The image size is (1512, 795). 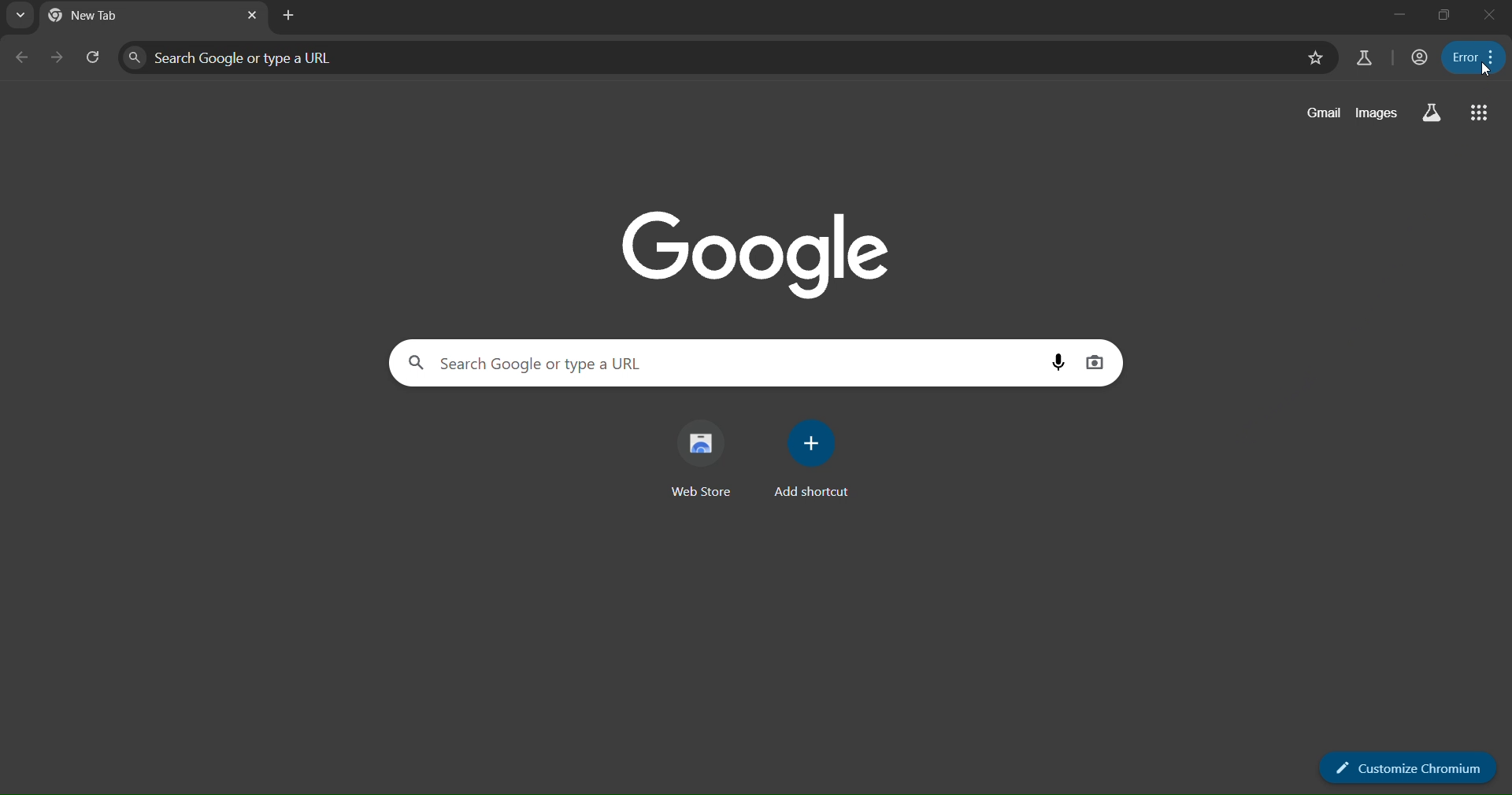 I want to click on cursor, so click(x=1482, y=72).